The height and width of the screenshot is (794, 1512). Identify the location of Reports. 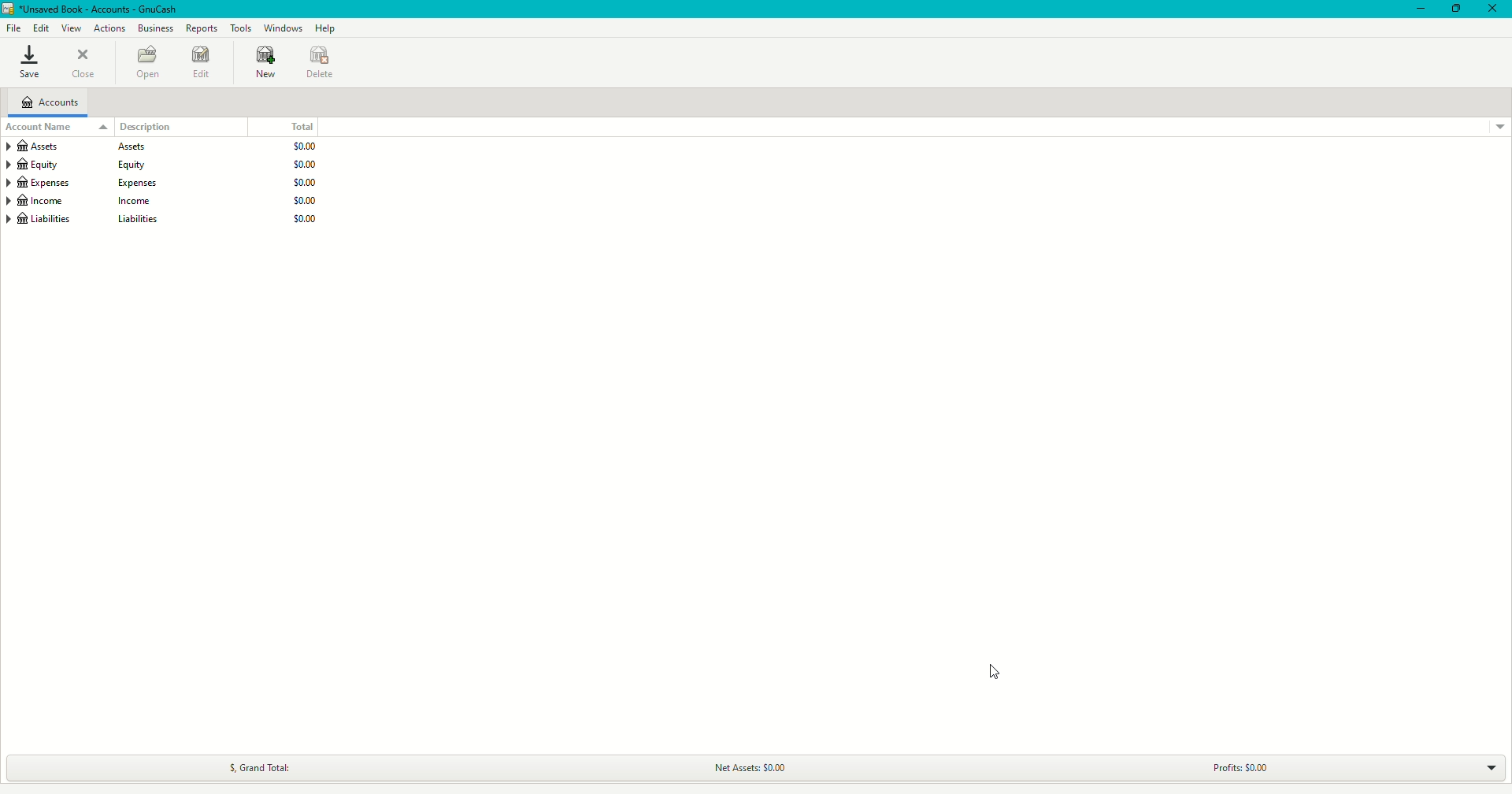
(202, 28).